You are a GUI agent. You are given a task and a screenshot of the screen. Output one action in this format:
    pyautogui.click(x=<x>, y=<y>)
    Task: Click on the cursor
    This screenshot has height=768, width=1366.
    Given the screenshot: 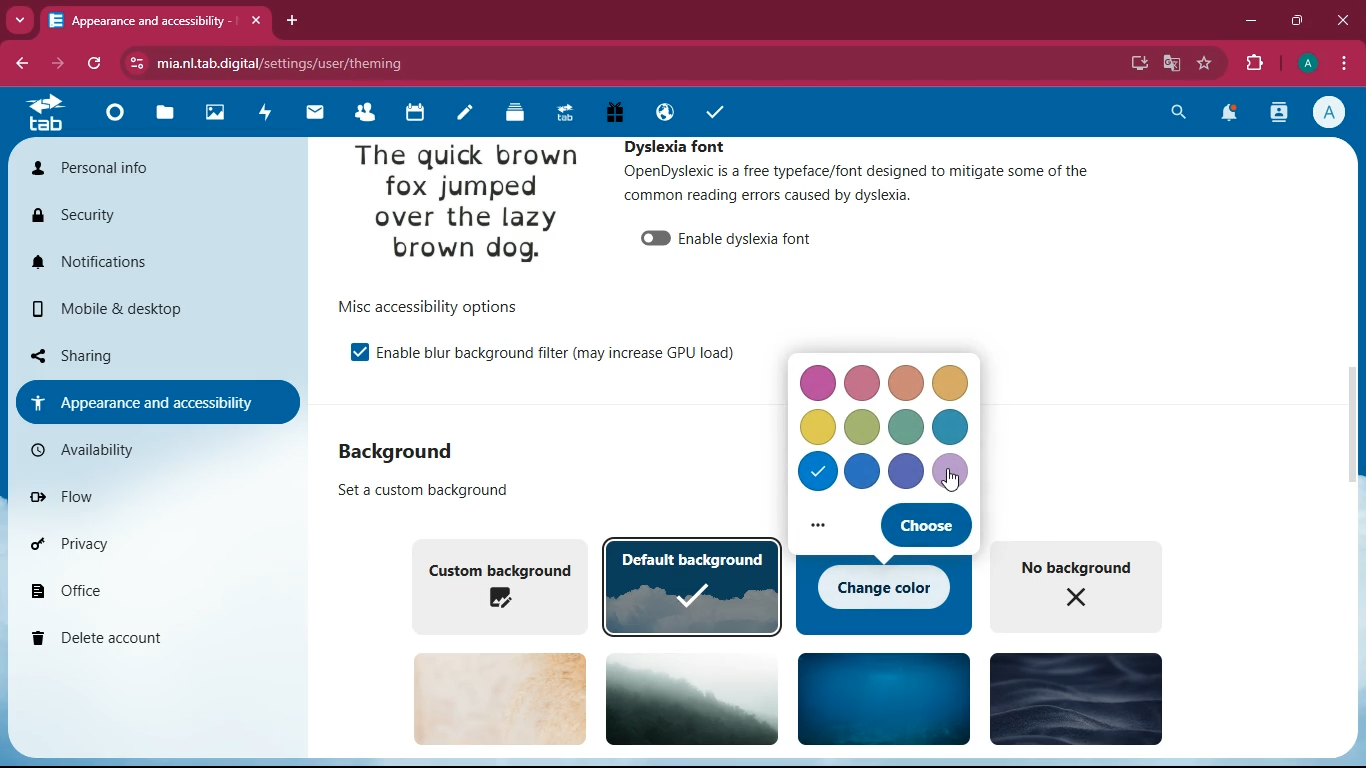 What is the action you would take?
    pyautogui.click(x=951, y=478)
    